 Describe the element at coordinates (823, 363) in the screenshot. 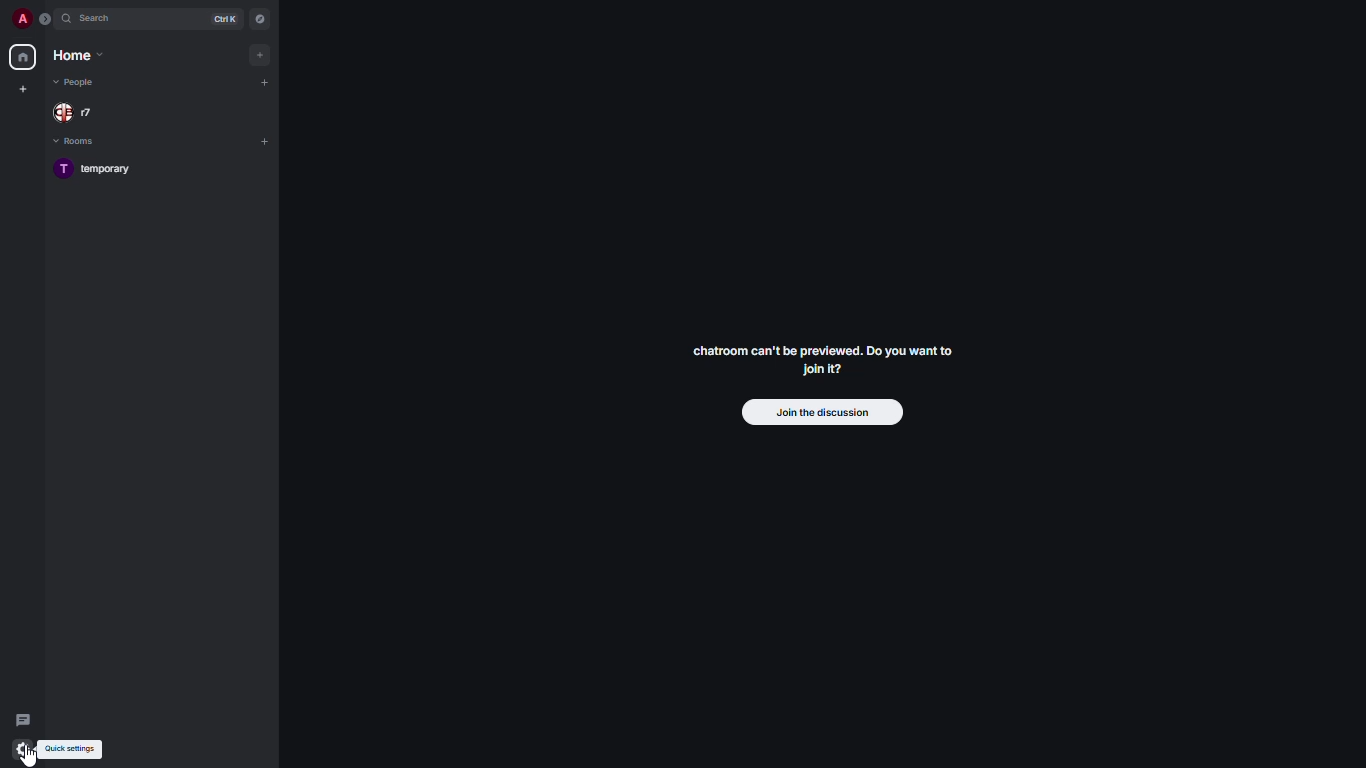

I see `chatroom can't be previewed` at that location.